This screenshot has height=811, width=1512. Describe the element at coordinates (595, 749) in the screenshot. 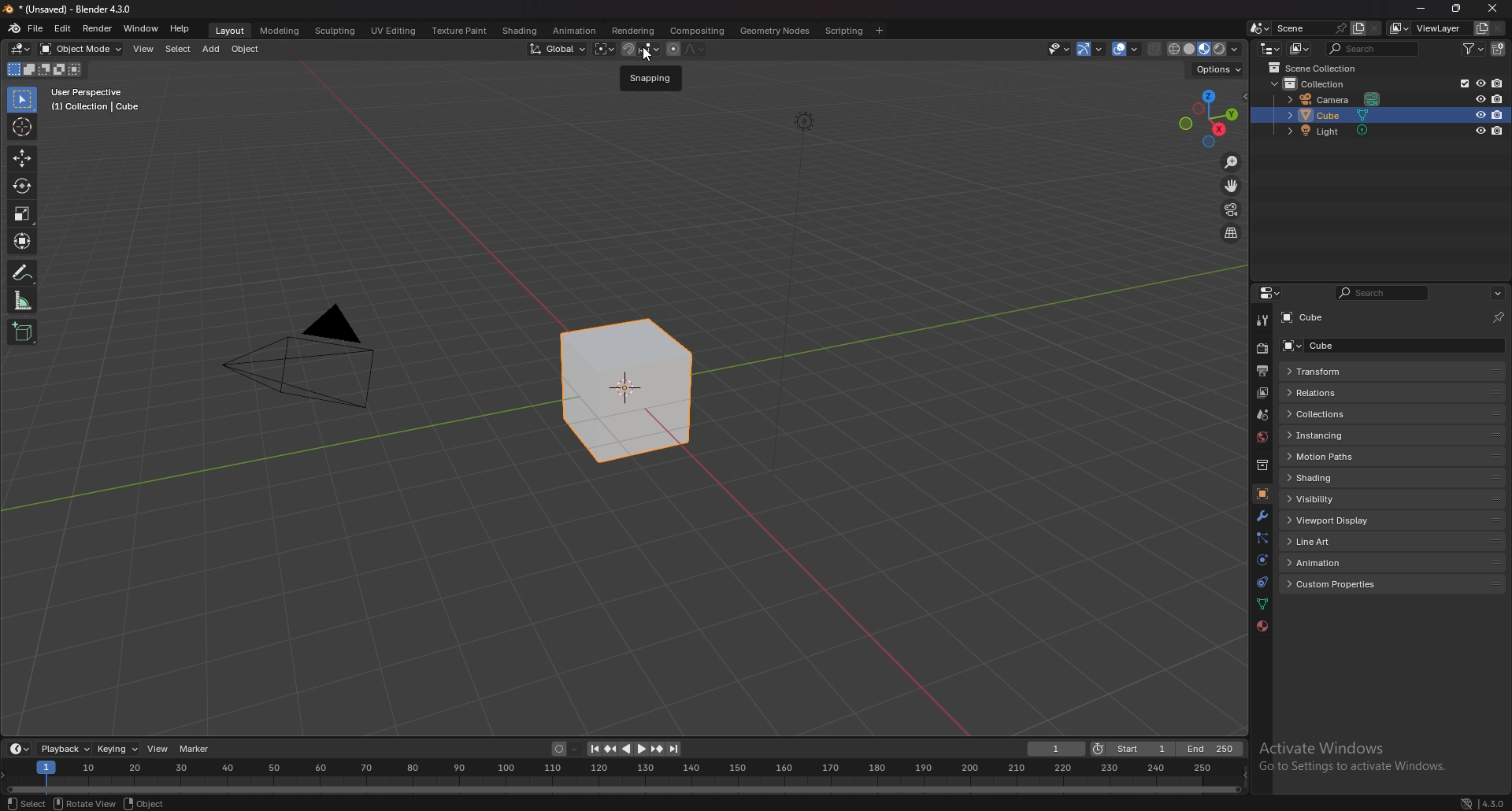

I see `jump to first frame` at that location.